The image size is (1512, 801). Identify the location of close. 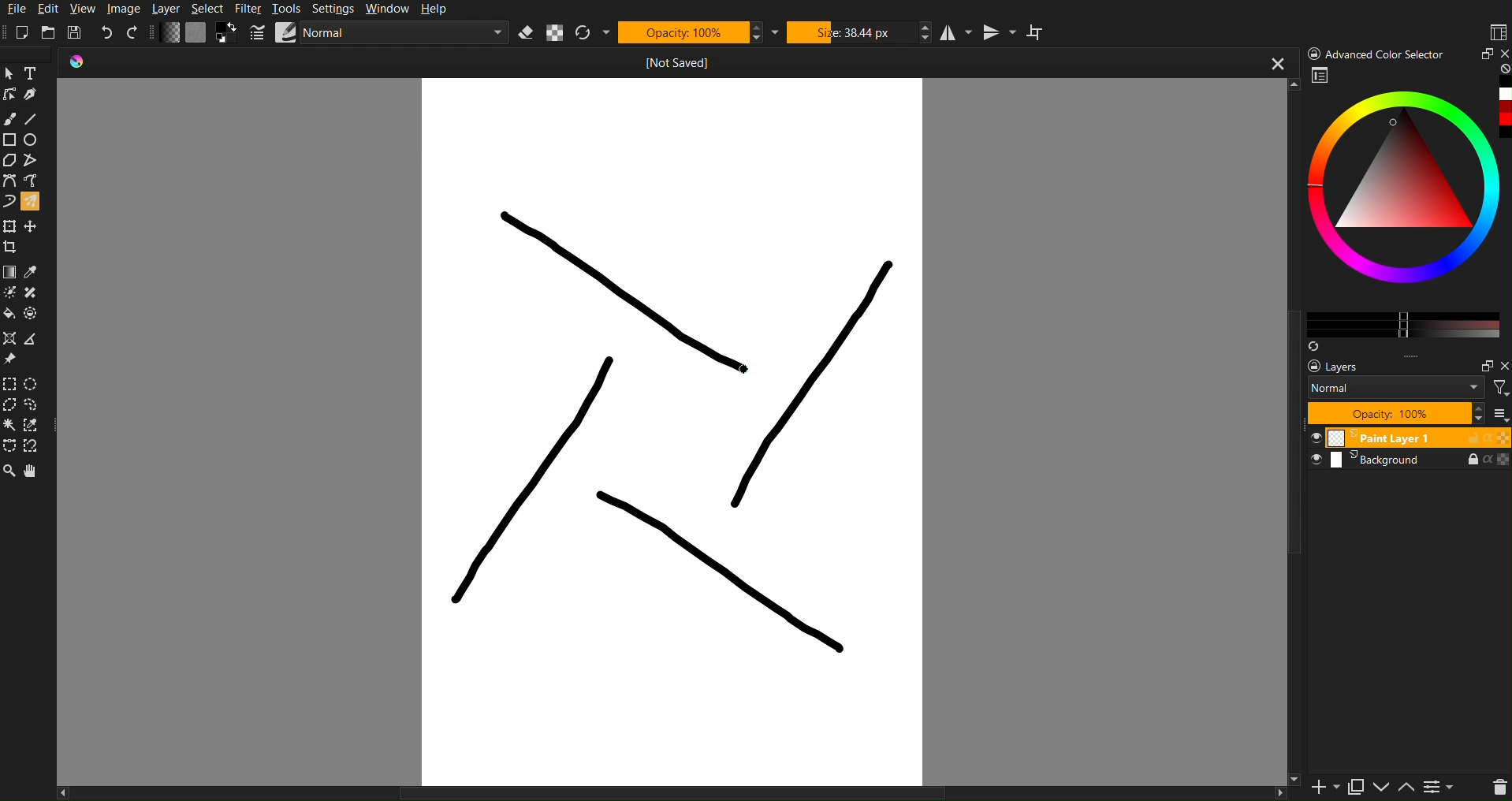
(1503, 367).